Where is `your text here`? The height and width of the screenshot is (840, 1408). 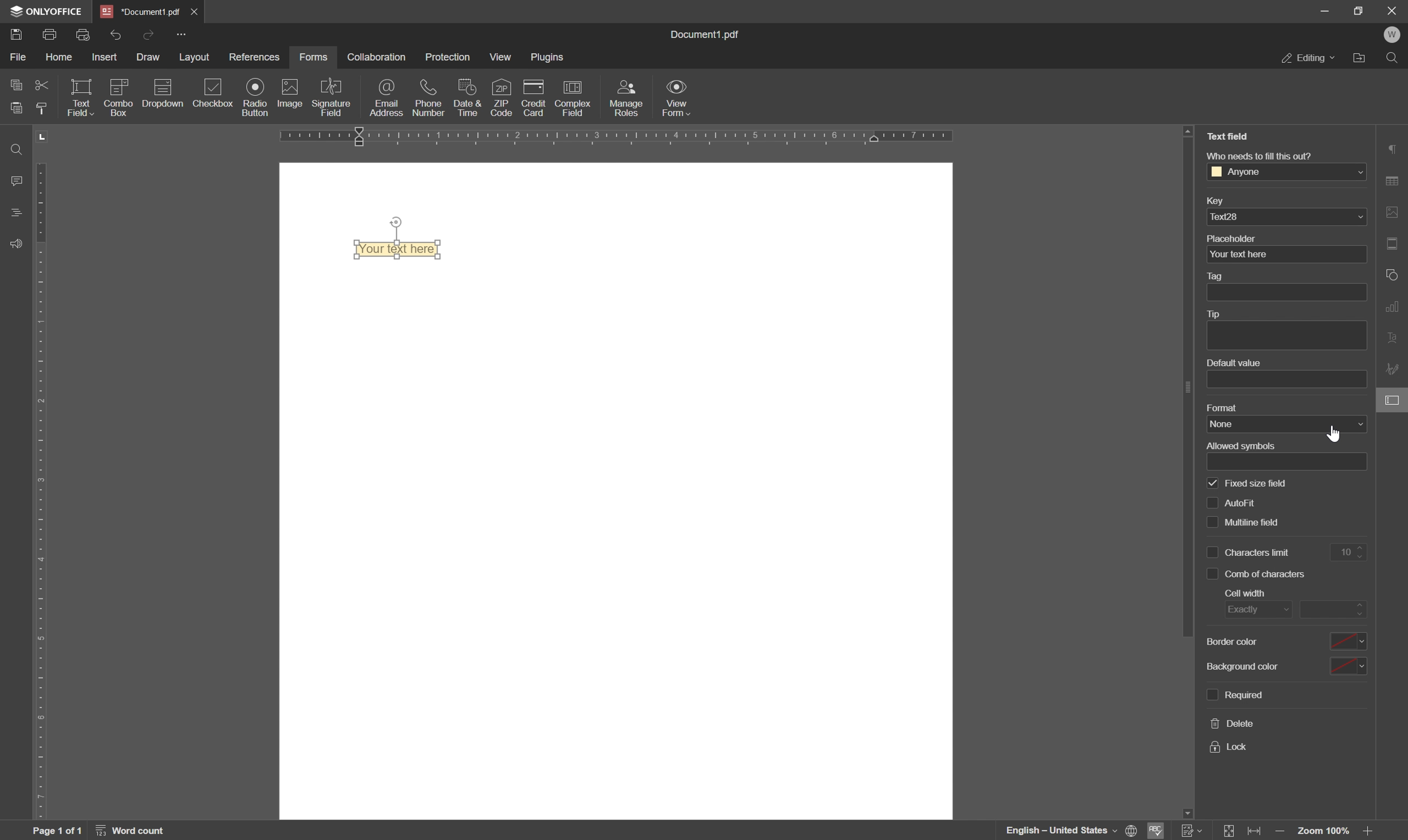
your text here is located at coordinates (390, 247).